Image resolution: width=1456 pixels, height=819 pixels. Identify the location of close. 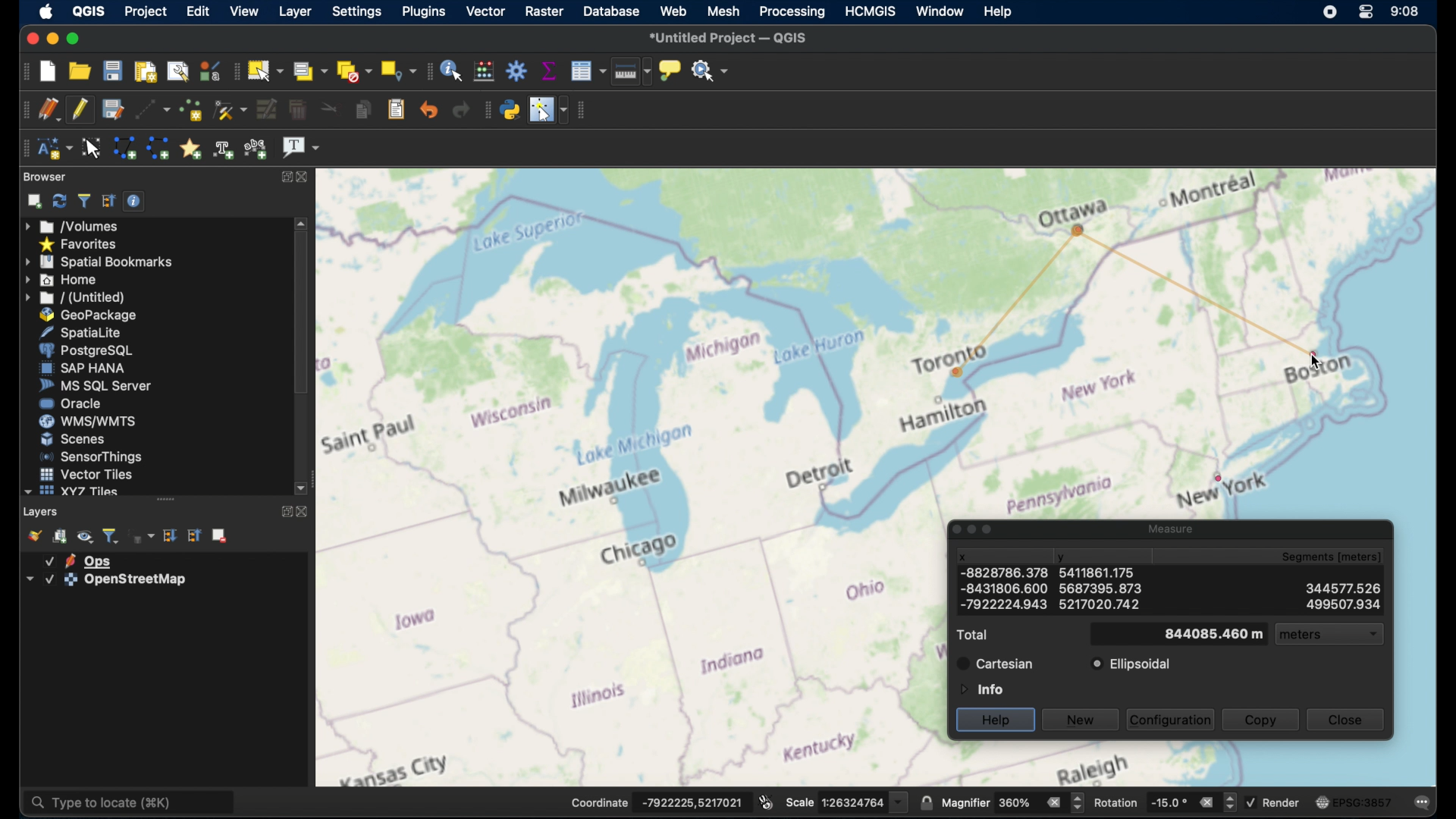
(307, 176).